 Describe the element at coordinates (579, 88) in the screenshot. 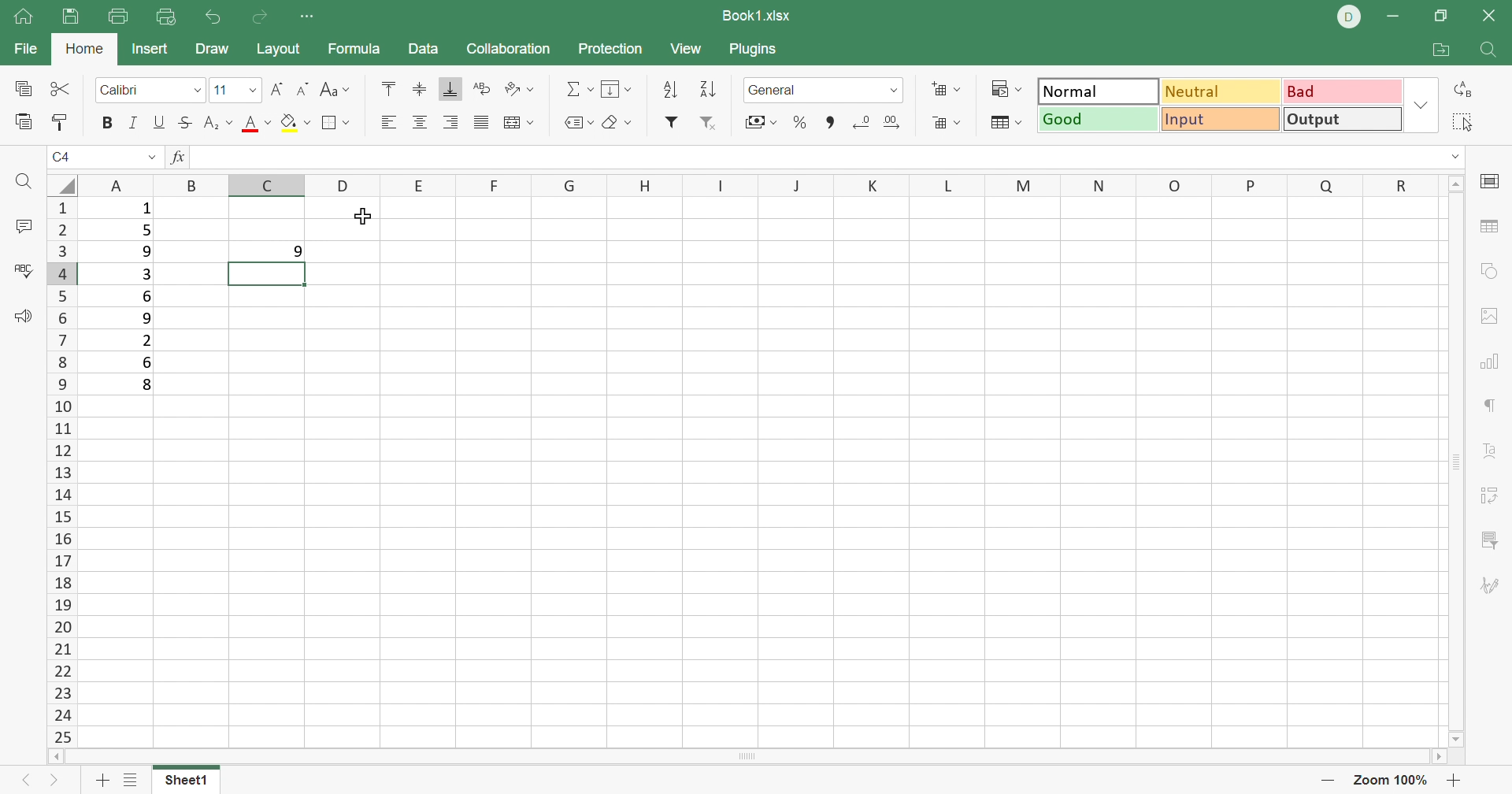

I see `Summation` at that location.